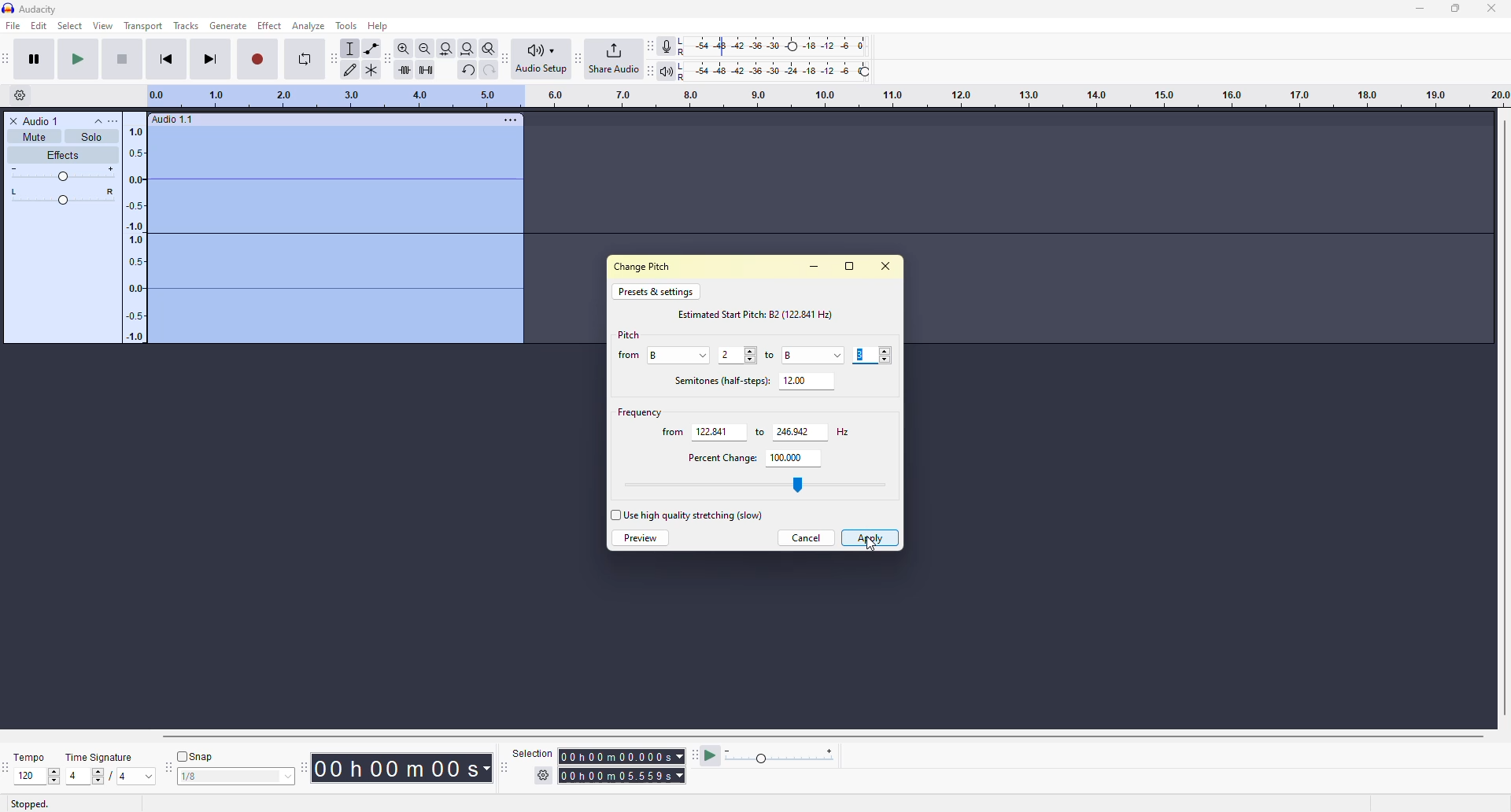 The width and height of the screenshot is (1511, 812). I want to click on play meter, so click(781, 757).